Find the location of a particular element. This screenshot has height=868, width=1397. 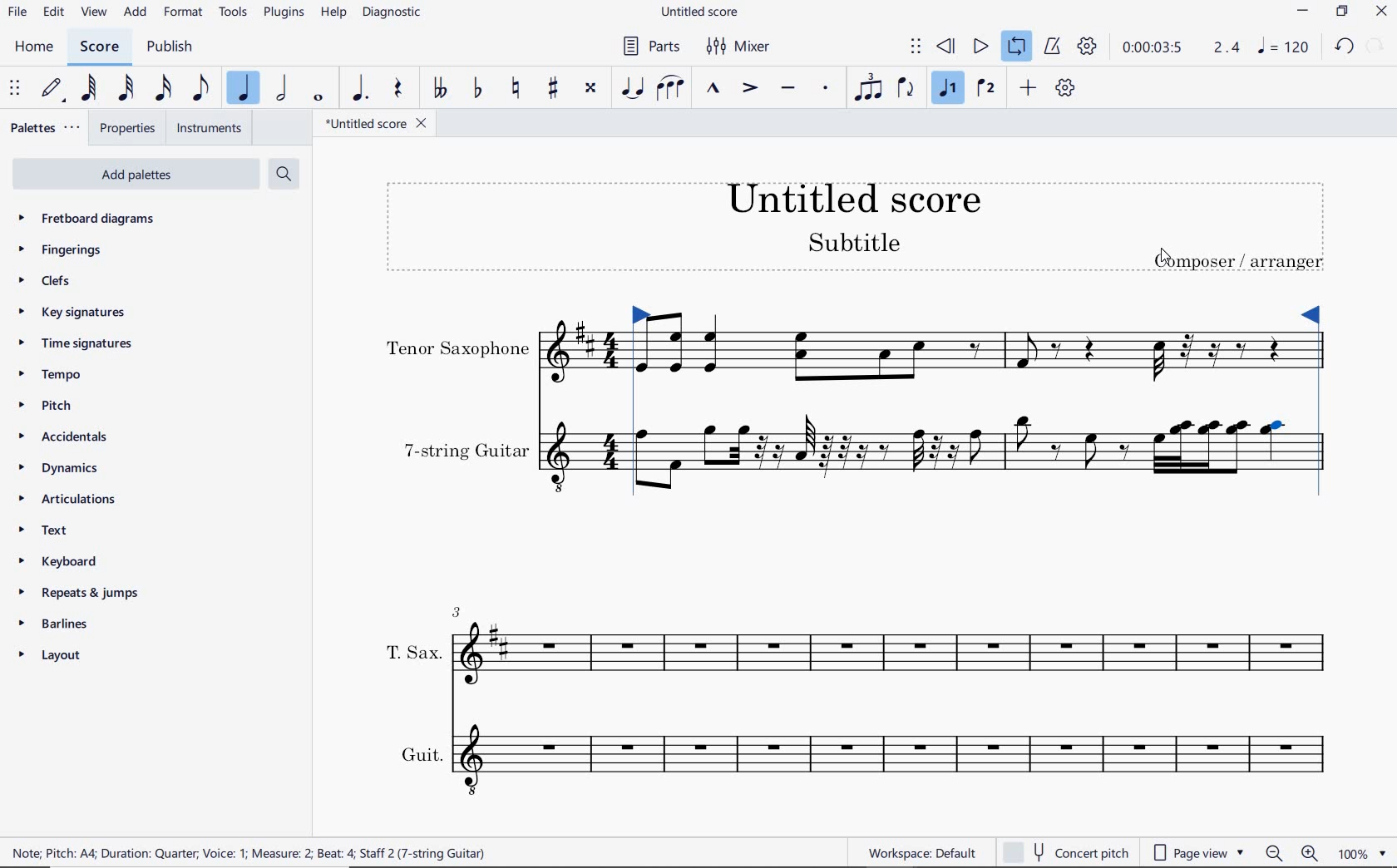

STACCATO is located at coordinates (825, 88).